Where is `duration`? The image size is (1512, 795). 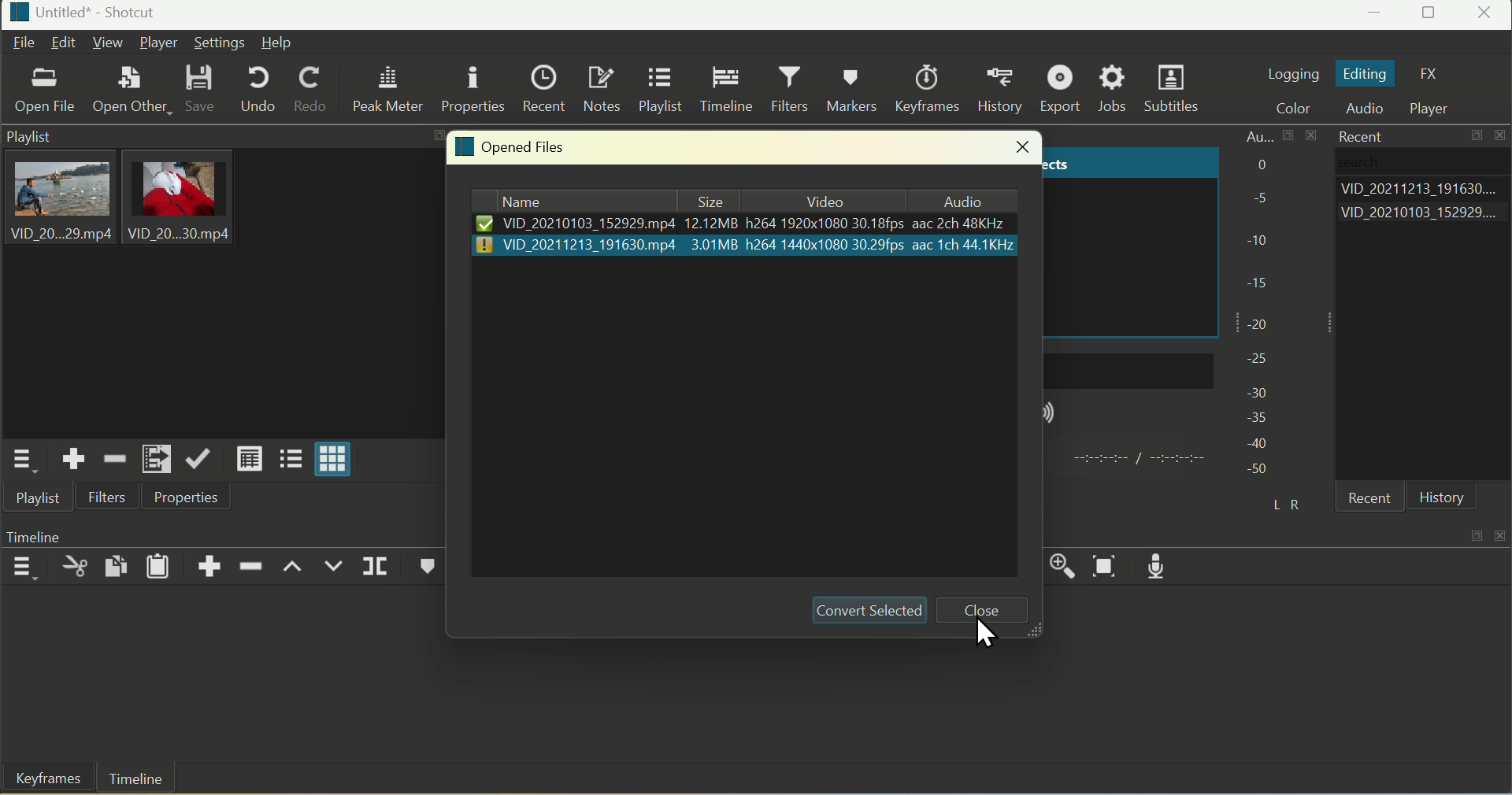
duration is located at coordinates (1136, 460).